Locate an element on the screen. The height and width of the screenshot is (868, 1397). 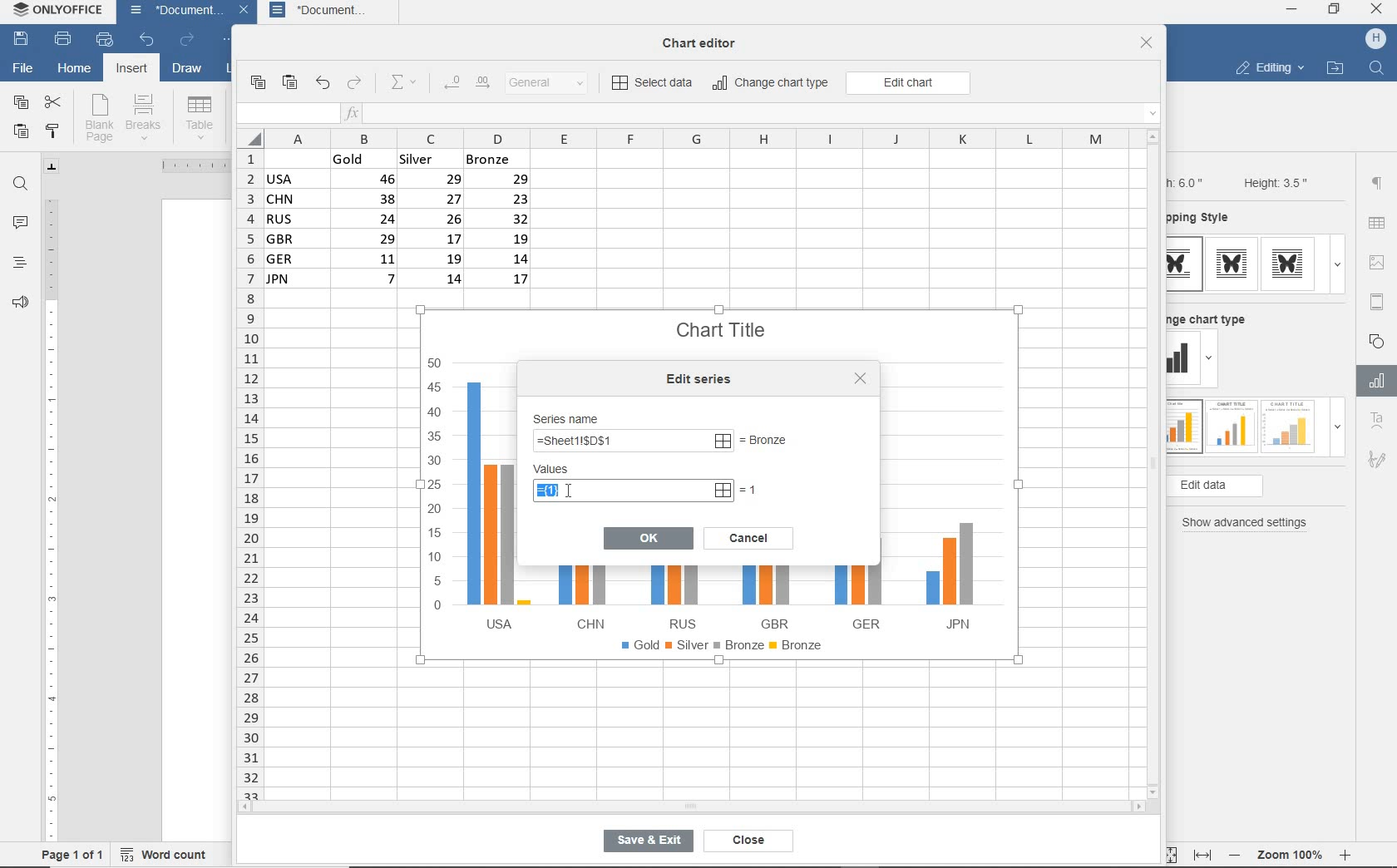
search is located at coordinates (1379, 67).